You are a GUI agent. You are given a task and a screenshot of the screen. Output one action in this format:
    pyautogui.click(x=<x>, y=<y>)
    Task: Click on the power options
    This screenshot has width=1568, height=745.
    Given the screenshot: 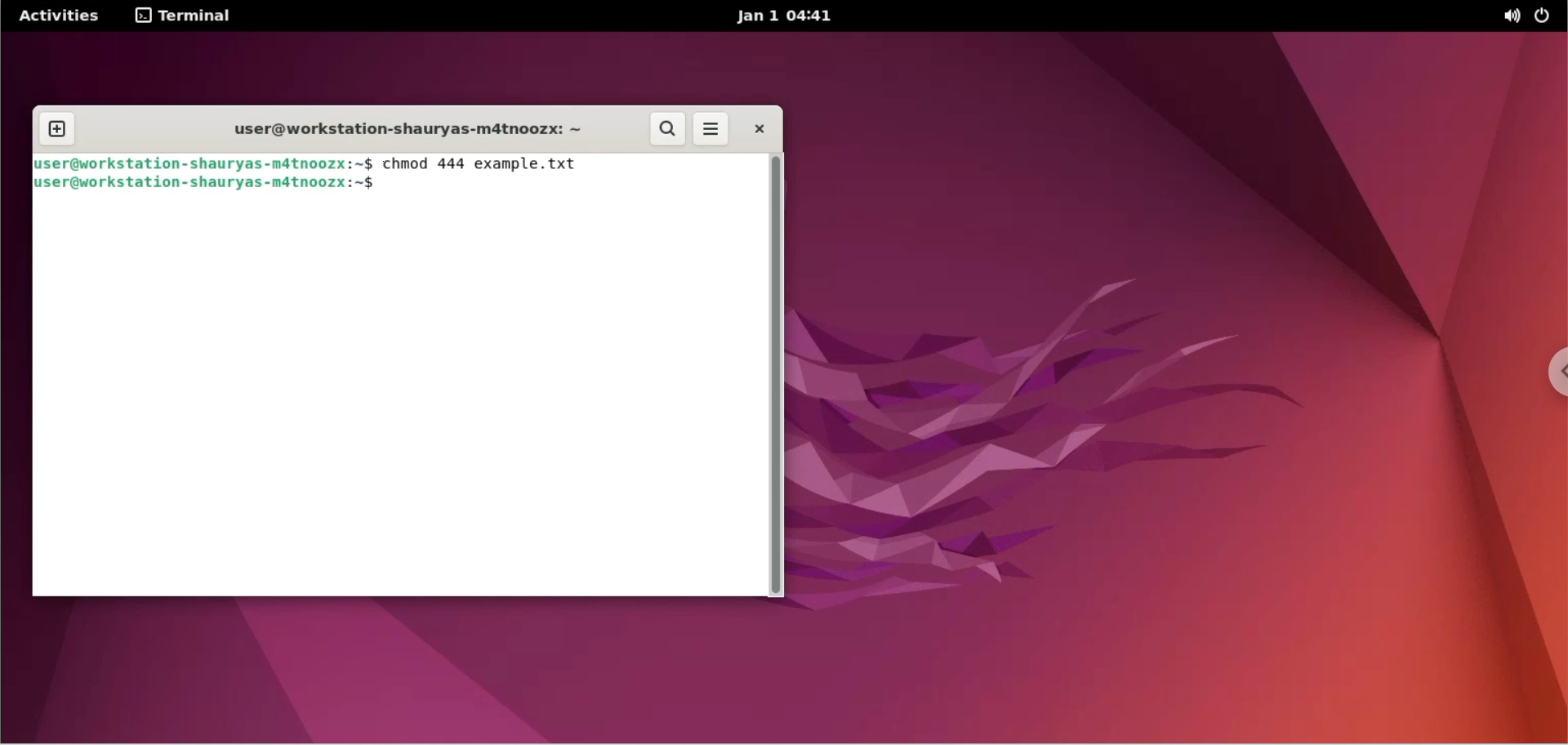 What is the action you would take?
    pyautogui.click(x=1547, y=16)
    